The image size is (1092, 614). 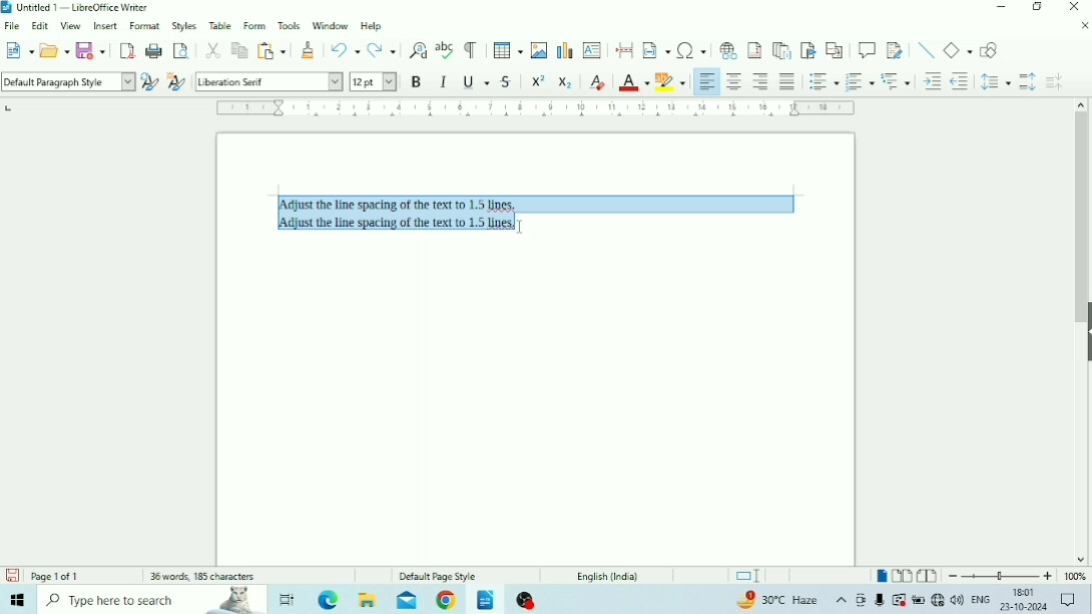 I want to click on Window, so click(x=331, y=24).